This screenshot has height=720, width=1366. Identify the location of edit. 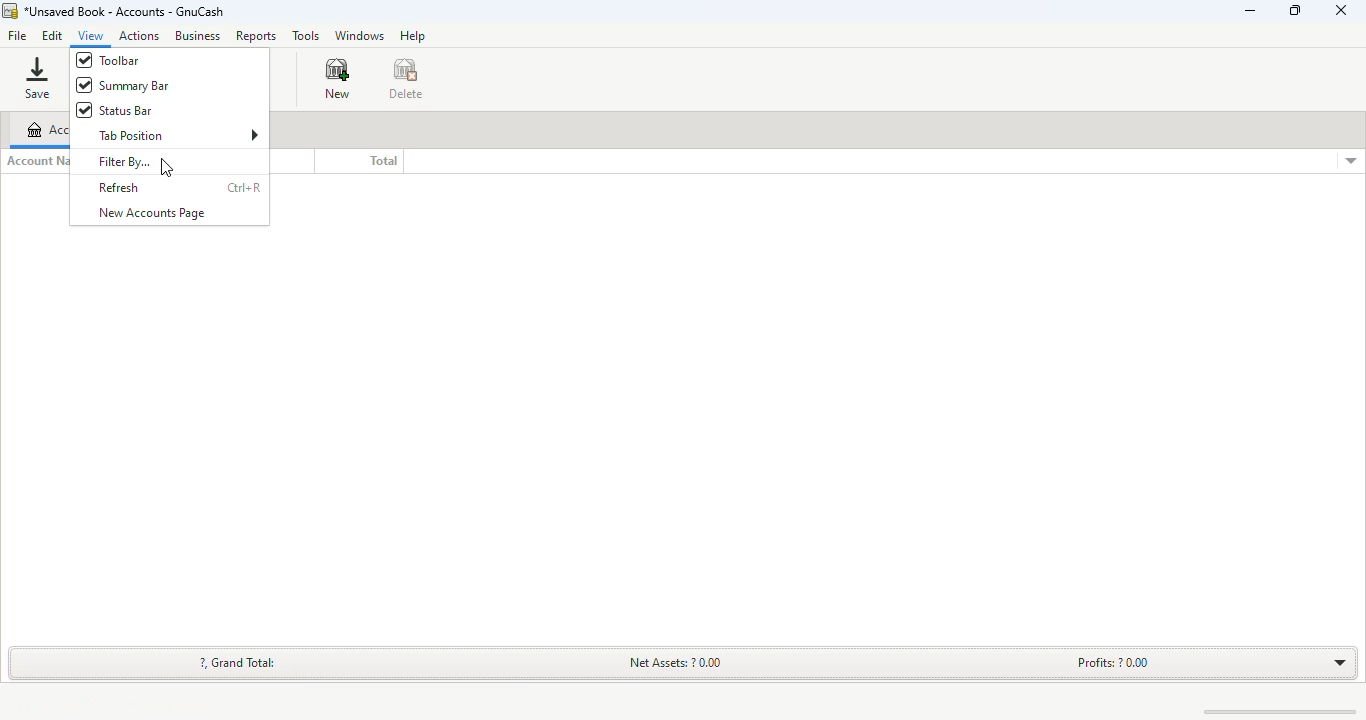
(52, 35).